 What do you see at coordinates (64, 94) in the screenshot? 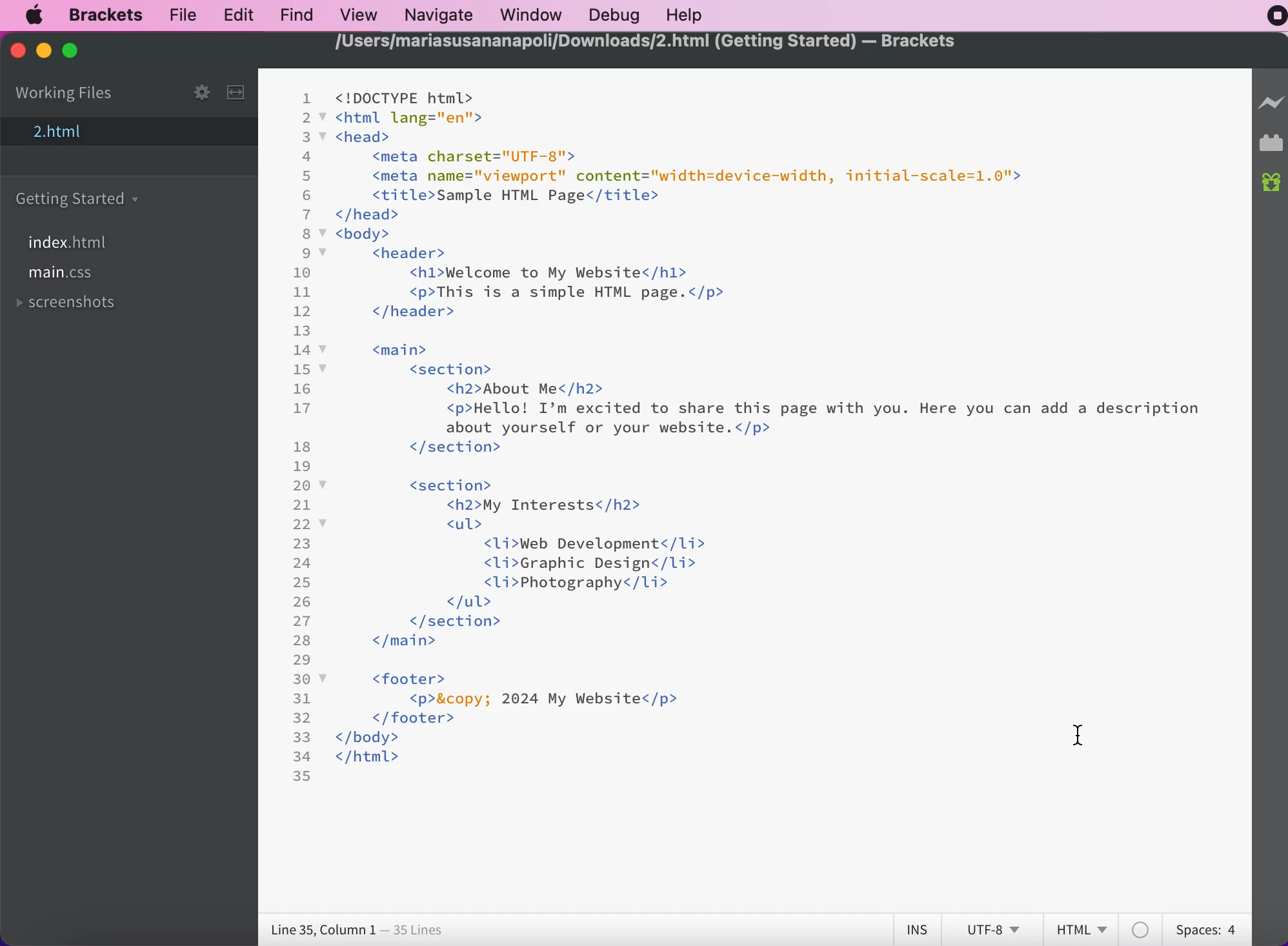
I see `working files` at bounding box center [64, 94].